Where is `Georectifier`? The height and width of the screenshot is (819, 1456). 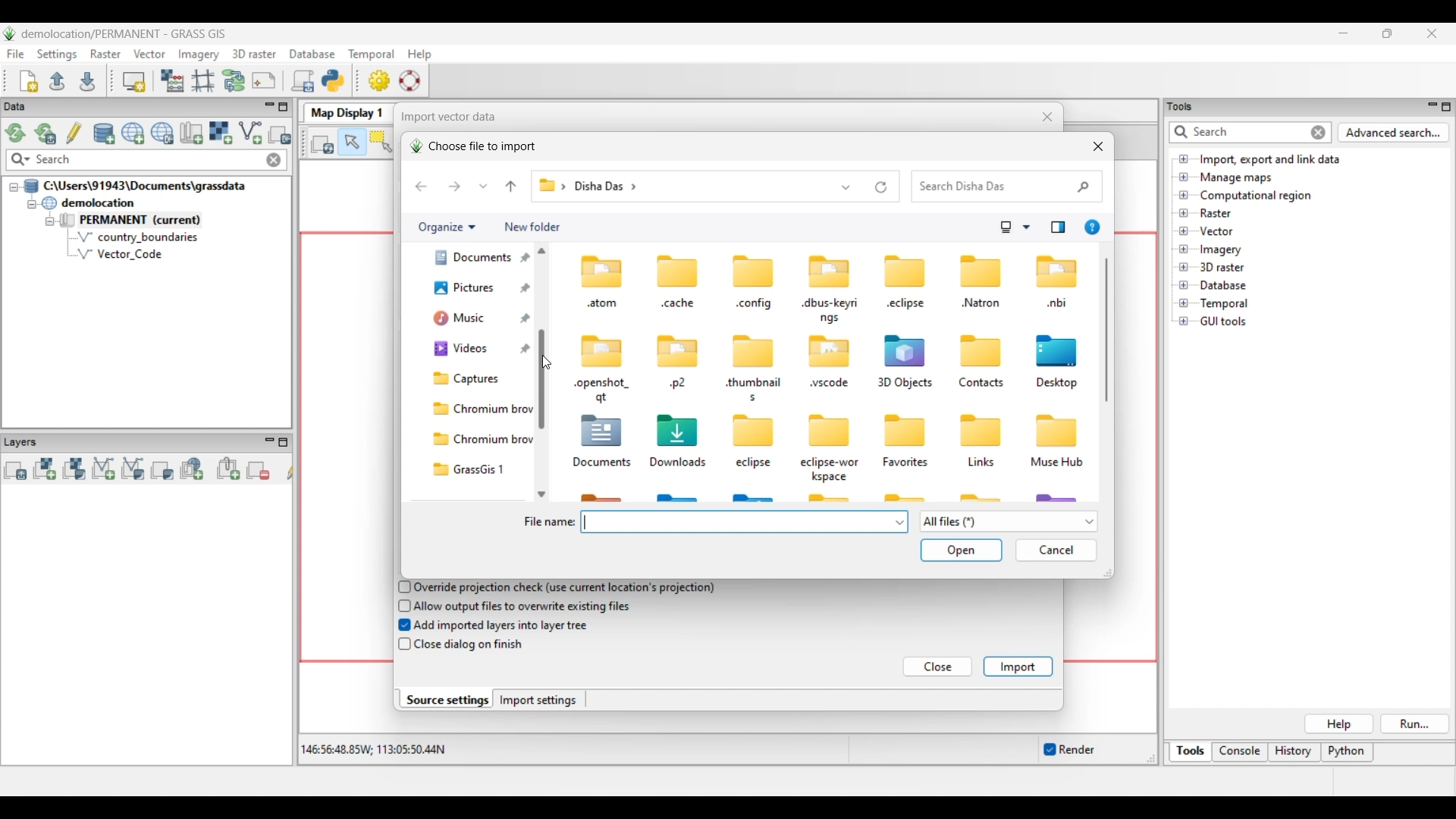
Georectifier is located at coordinates (203, 81).